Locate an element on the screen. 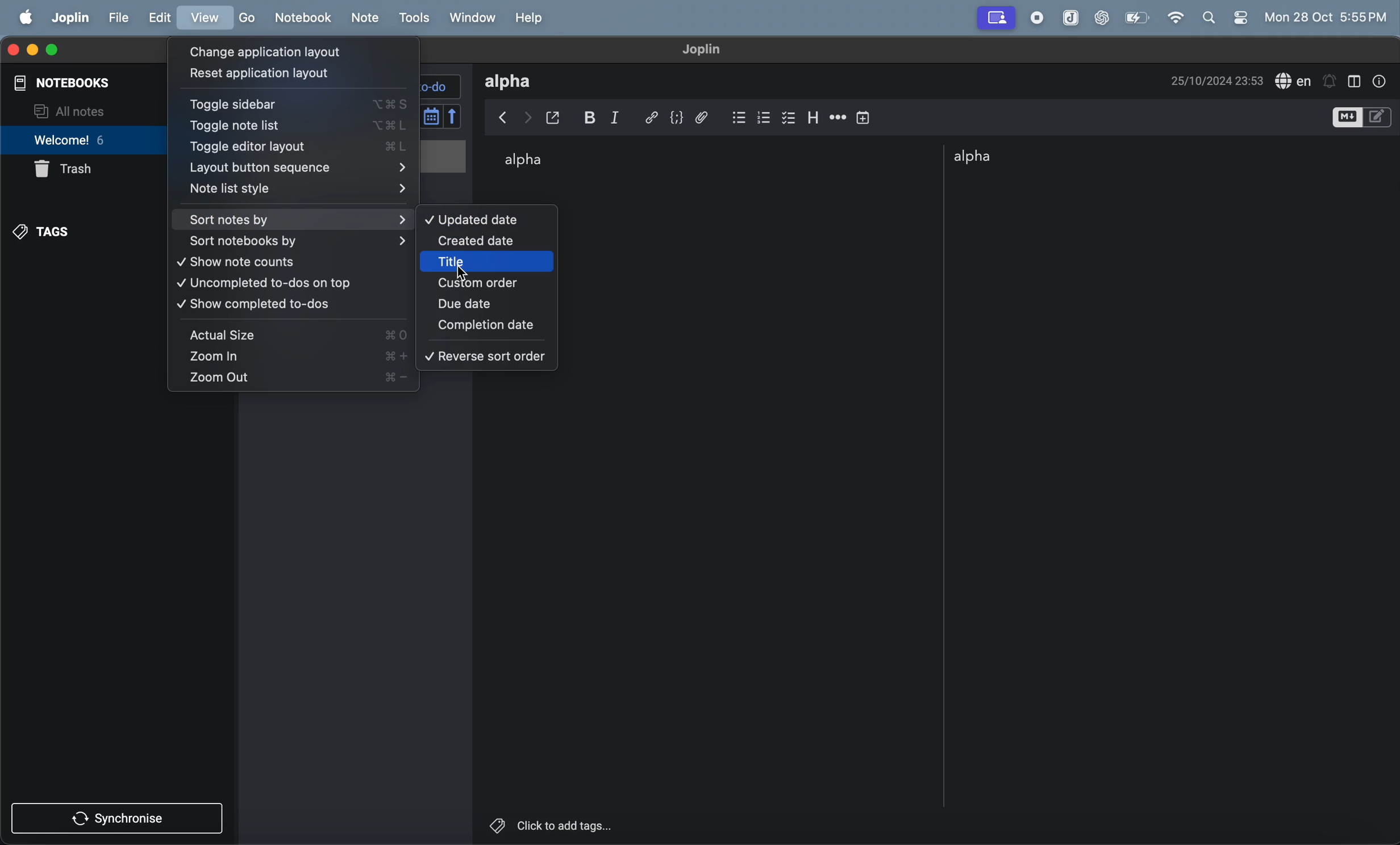 This screenshot has width=1400, height=845. toggle side bar is located at coordinates (298, 106).